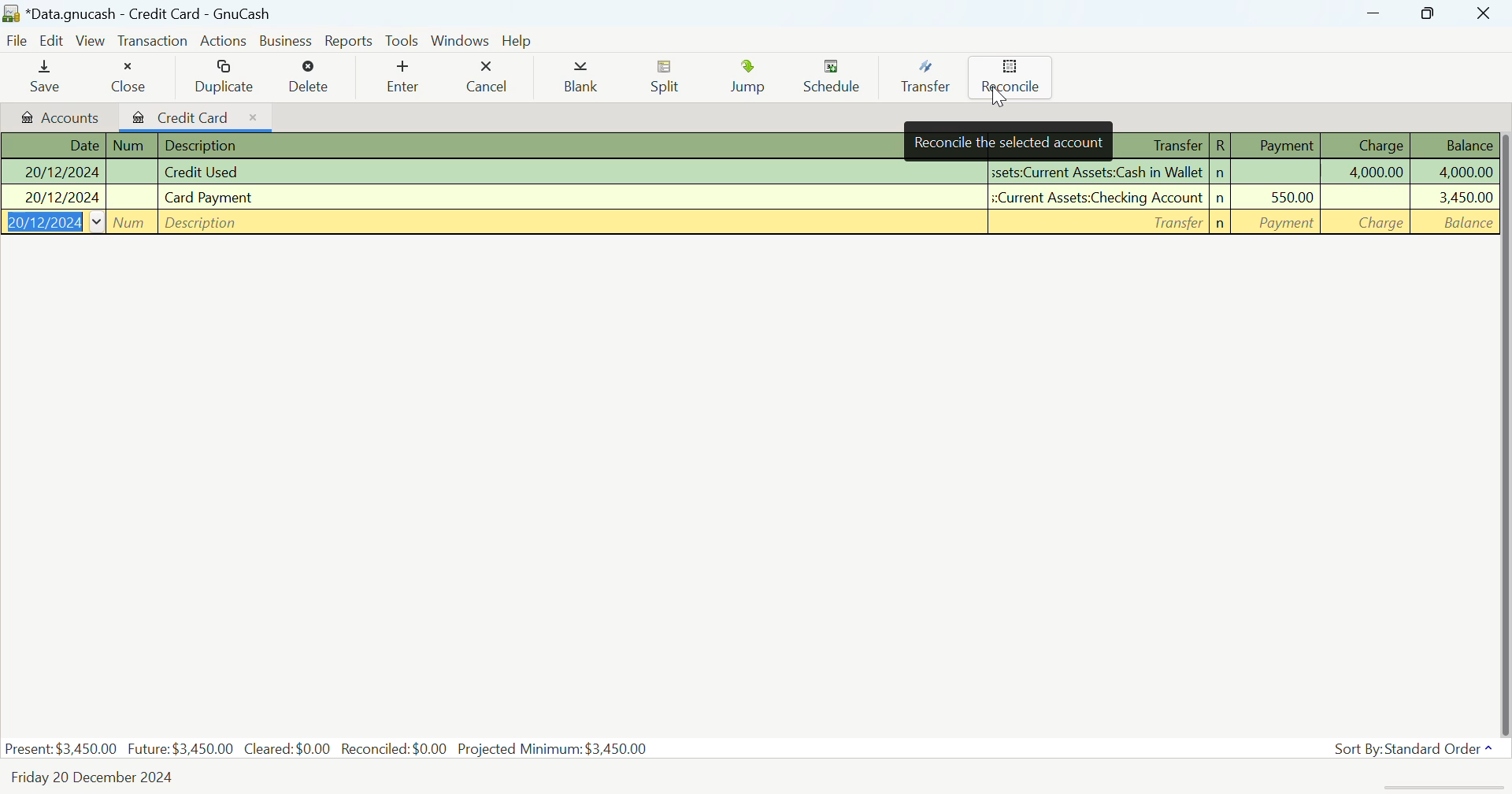  I want to click on View, so click(89, 40).